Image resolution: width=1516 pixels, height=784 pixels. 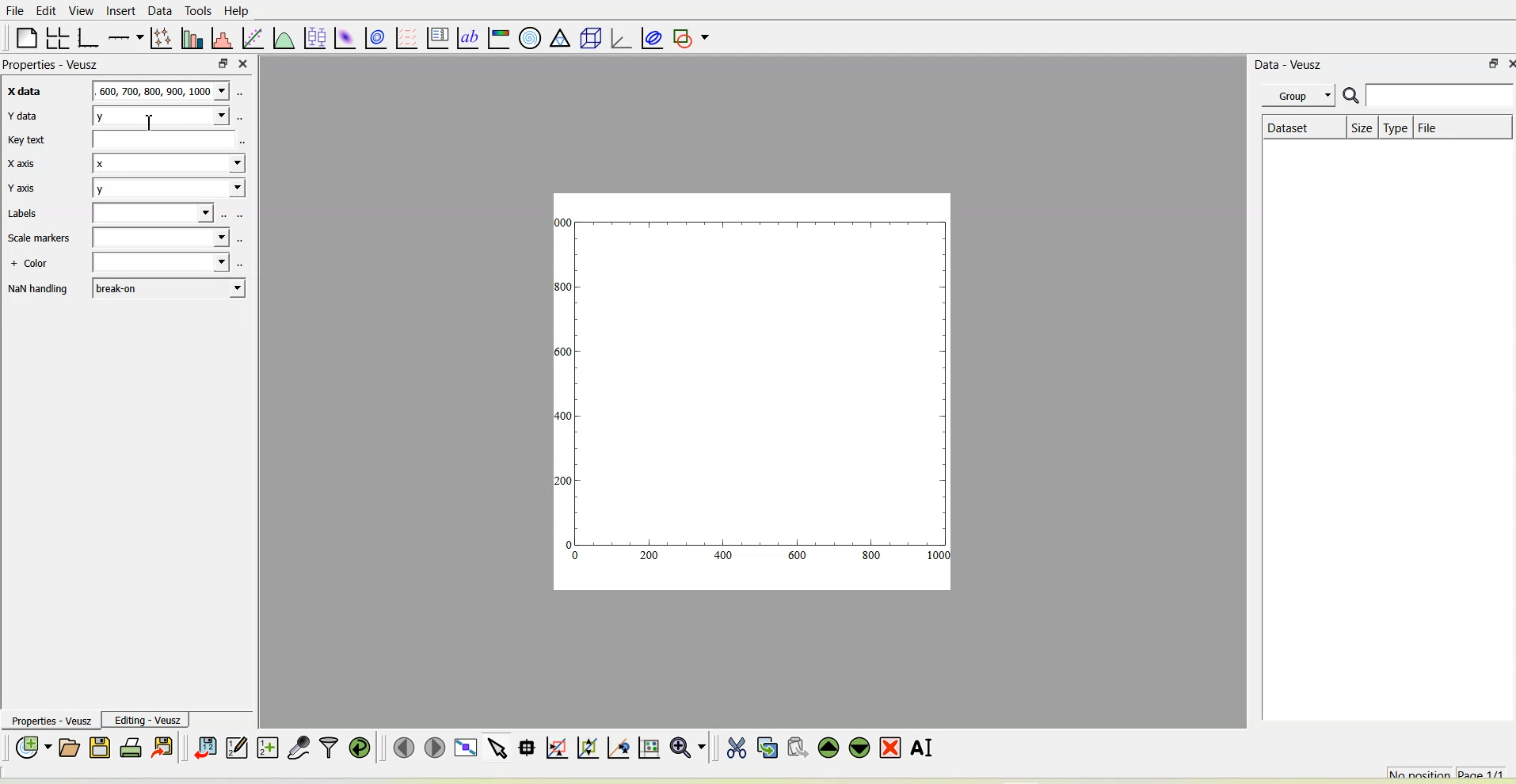 I want to click on Edit, so click(x=47, y=12).